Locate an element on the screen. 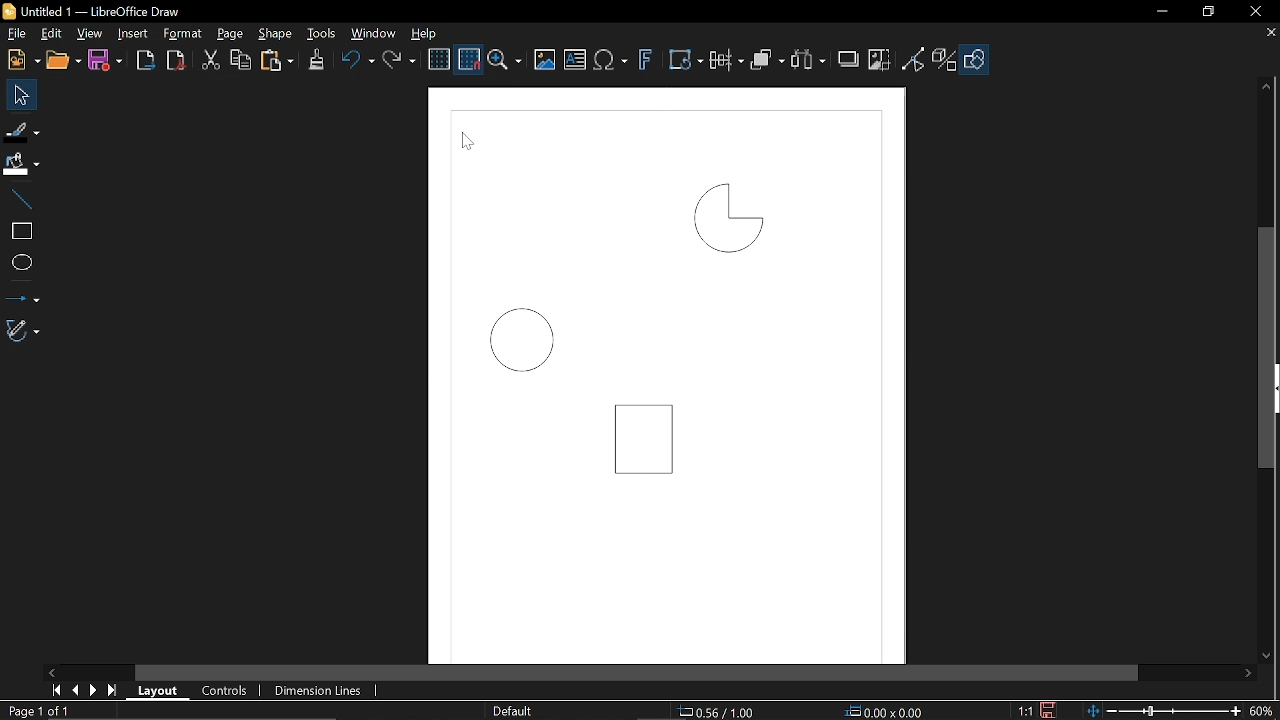 Image resolution: width=1280 pixels, height=720 pixels. 0.00x0.00 (object size) is located at coordinates (886, 712).